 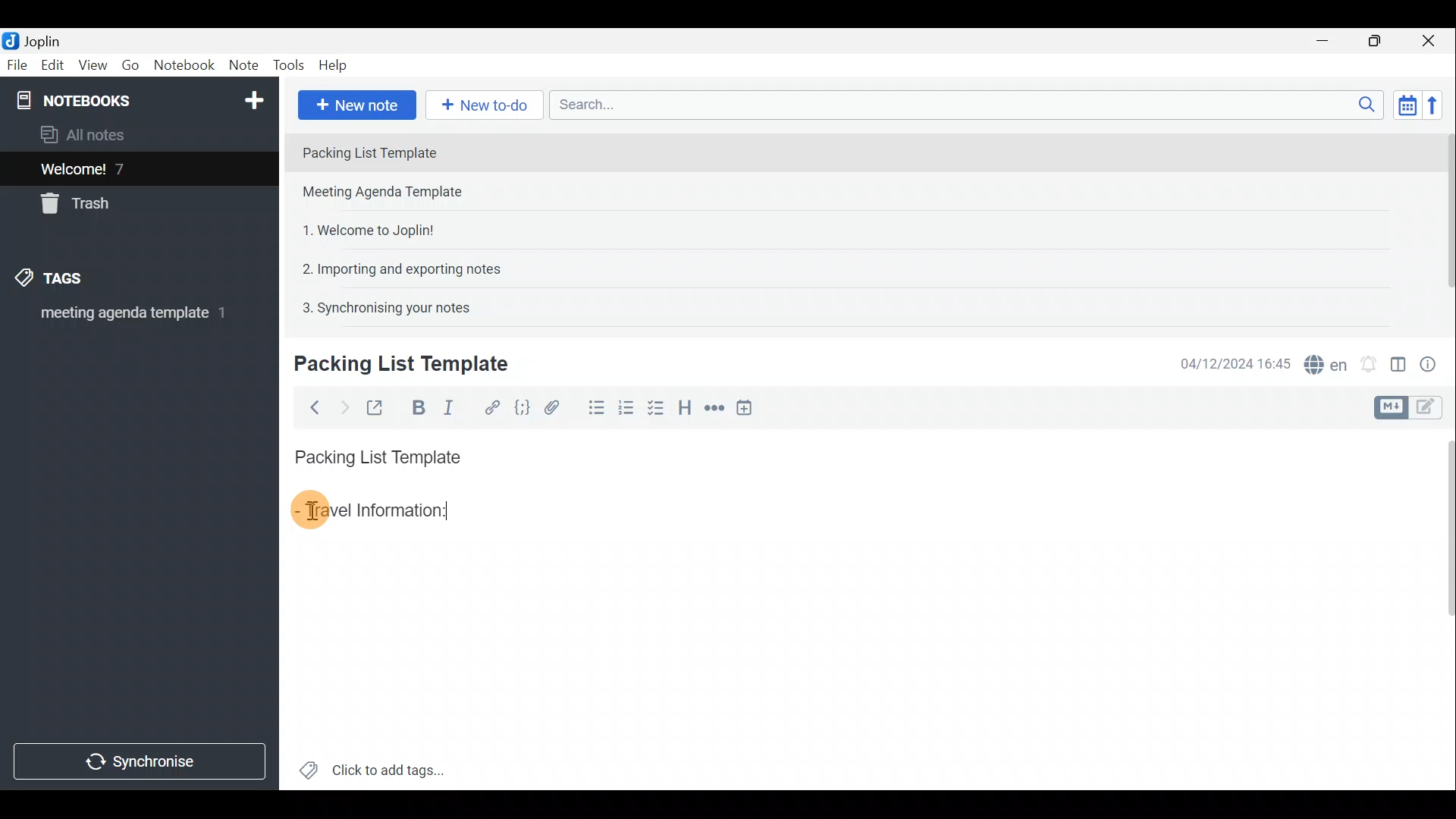 What do you see at coordinates (485, 105) in the screenshot?
I see `New to-do` at bounding box center [485, 105].